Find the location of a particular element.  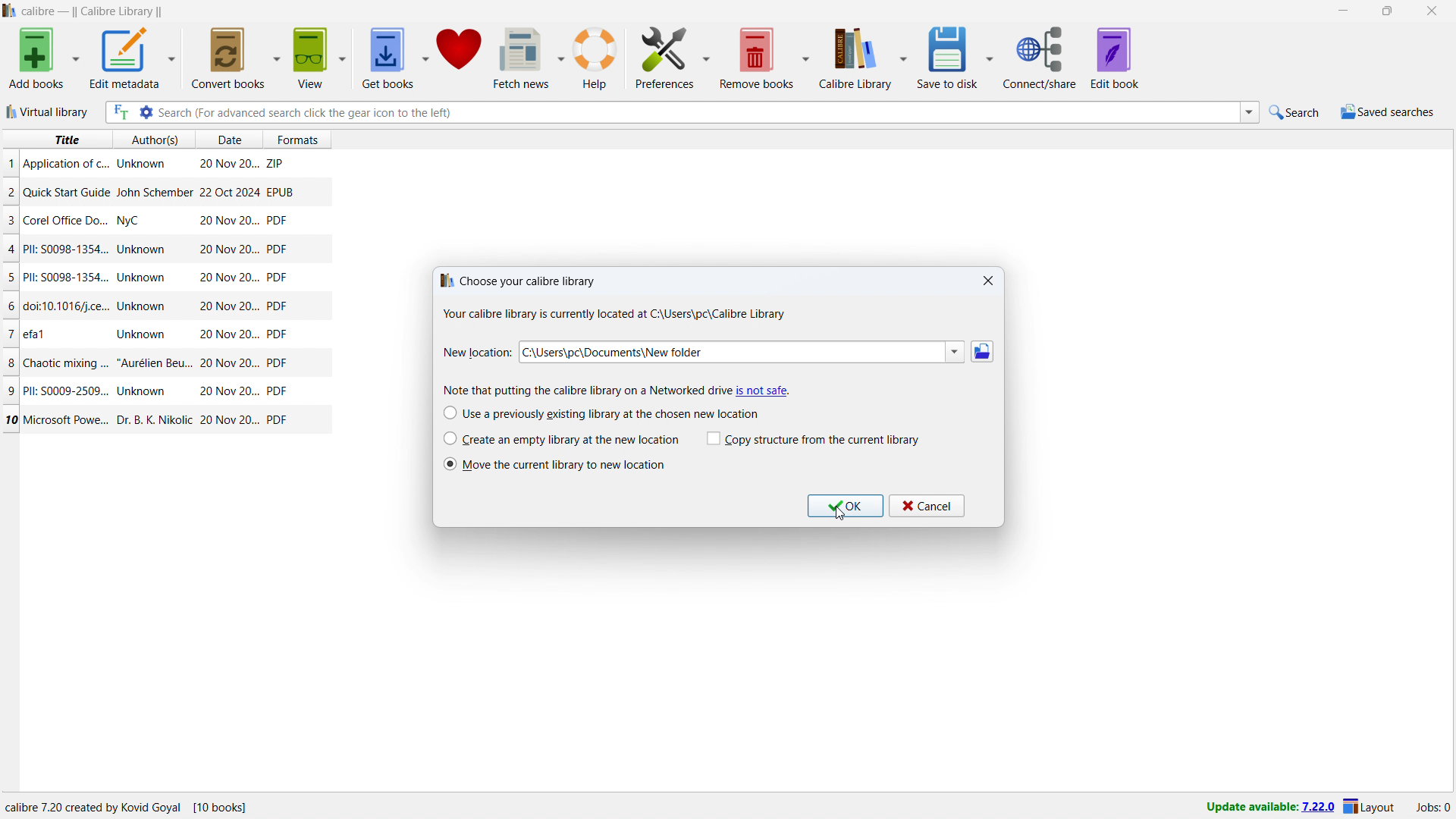

save to disk is located at coordinates (950, 57).